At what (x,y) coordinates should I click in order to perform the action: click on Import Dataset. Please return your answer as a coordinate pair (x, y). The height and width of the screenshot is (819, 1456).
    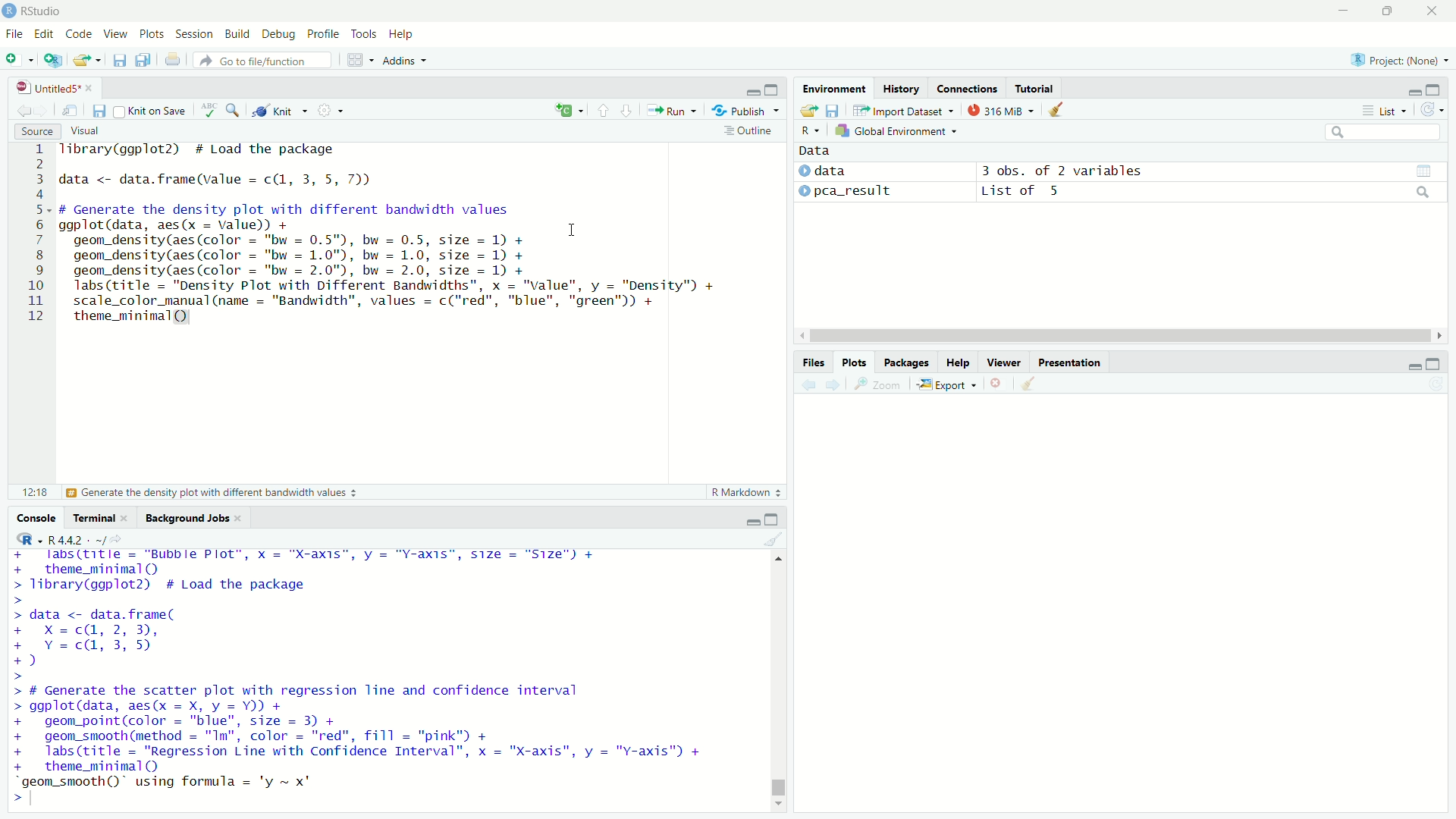
    Looking at the image, I should click on (905, 110).